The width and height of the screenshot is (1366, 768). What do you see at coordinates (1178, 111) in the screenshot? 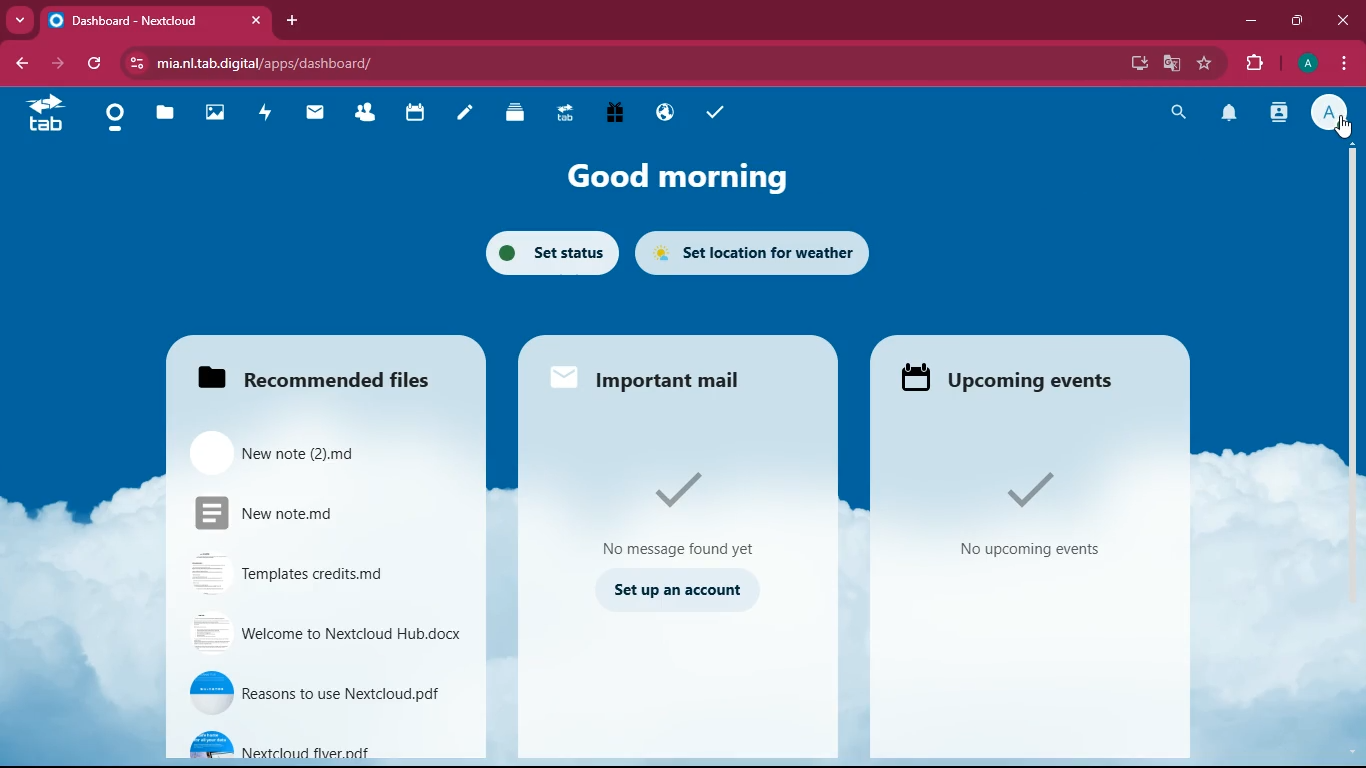
I see `search` at bounding box center [1178, 111].